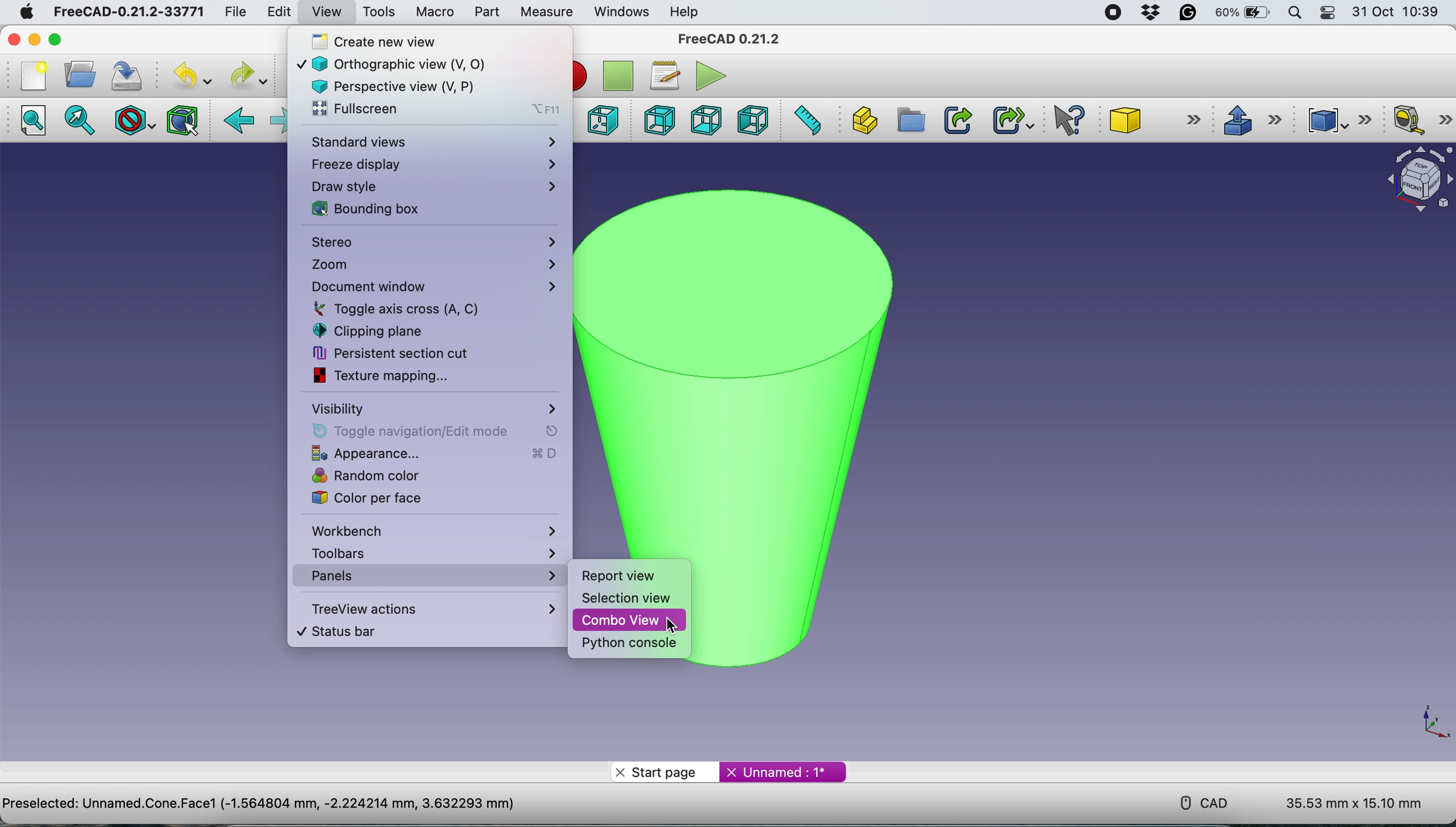 The height and width of the screenshot is (827, 1456). What do you see at coordinates (808, 121) in the screenshot?
I see `measure distance` at bounding box center [808, 121].